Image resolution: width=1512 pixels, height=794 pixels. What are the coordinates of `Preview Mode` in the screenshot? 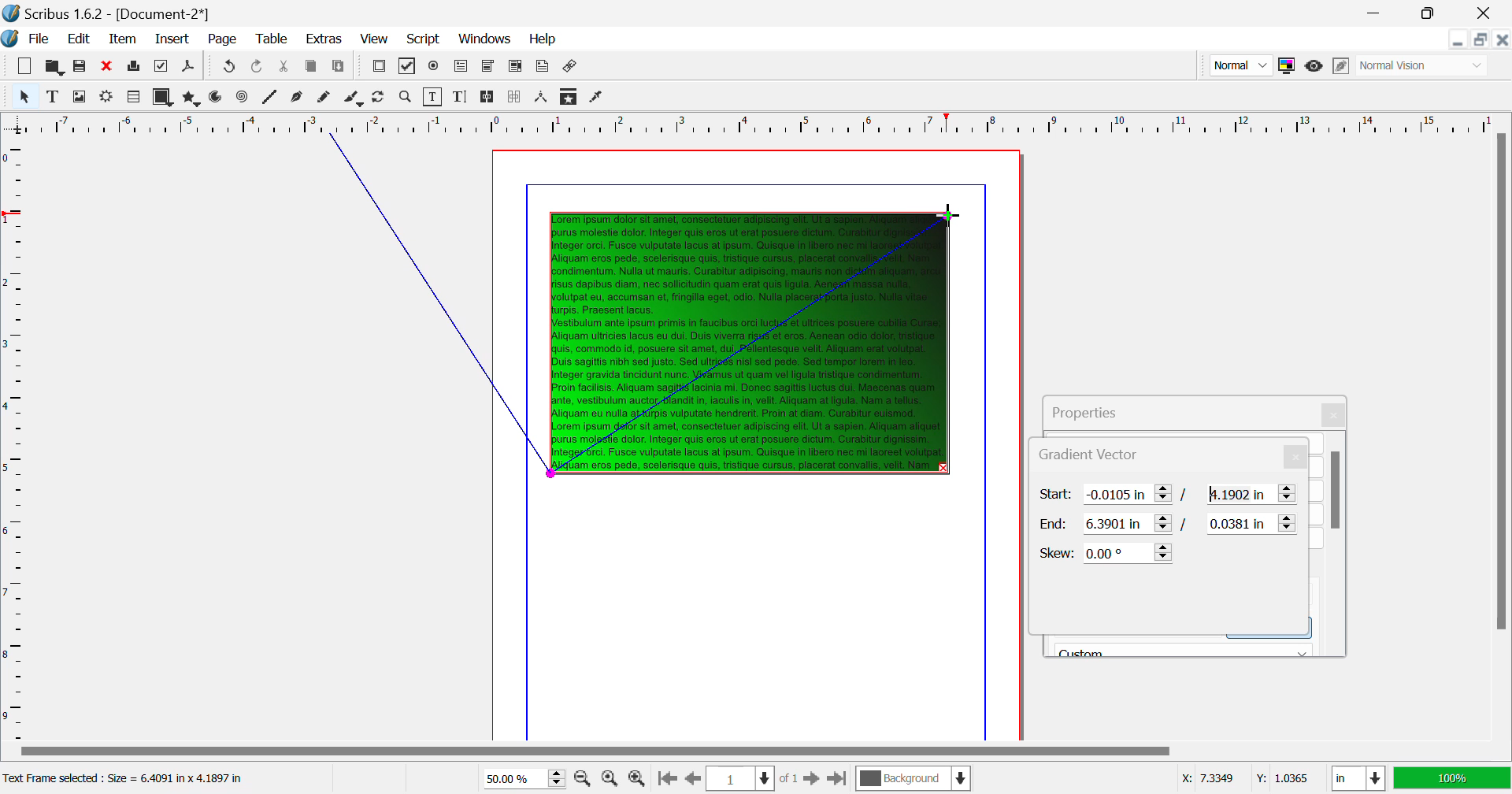 It's located at (1240, 65).